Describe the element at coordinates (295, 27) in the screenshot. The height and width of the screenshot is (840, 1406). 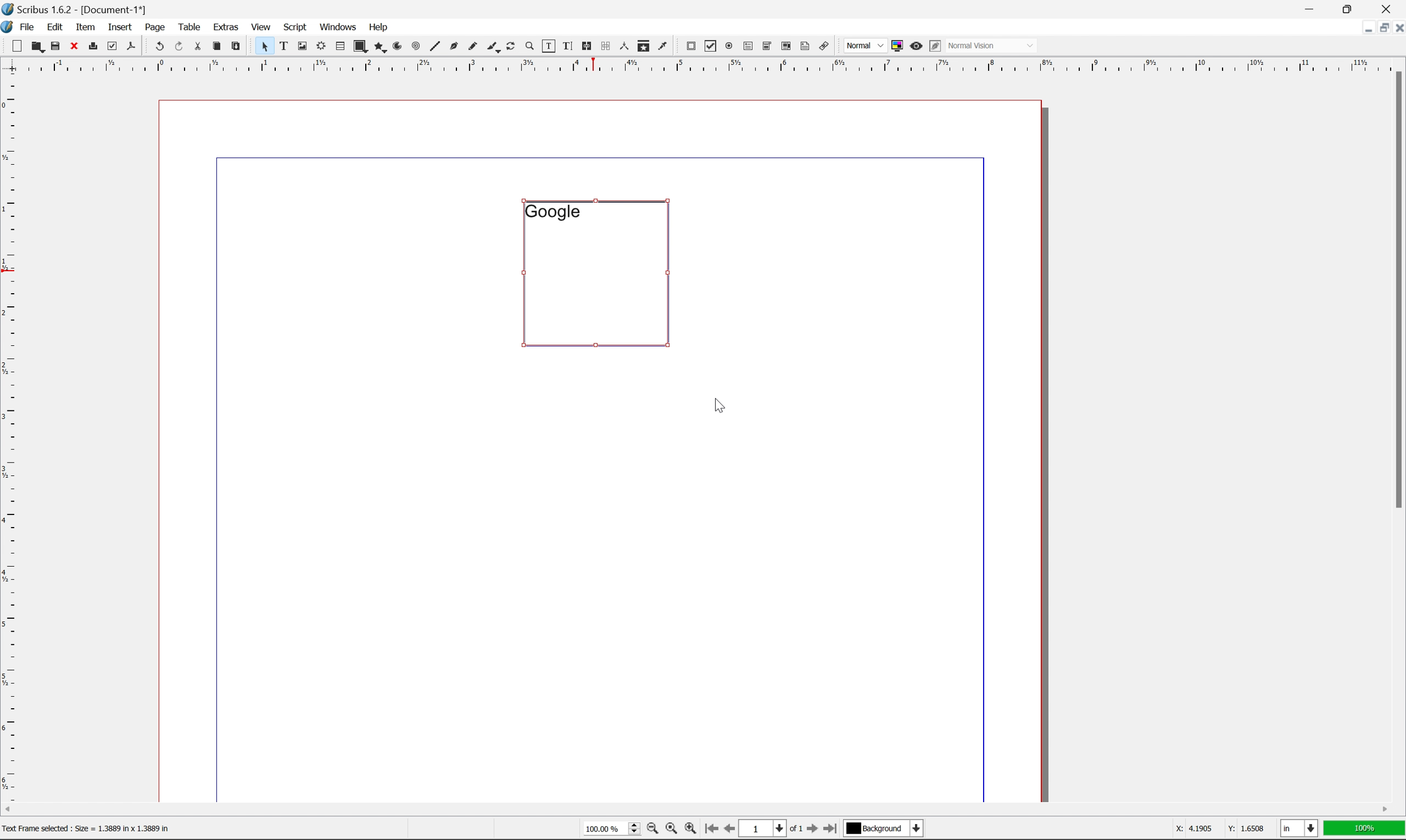
I see `script` at that location.